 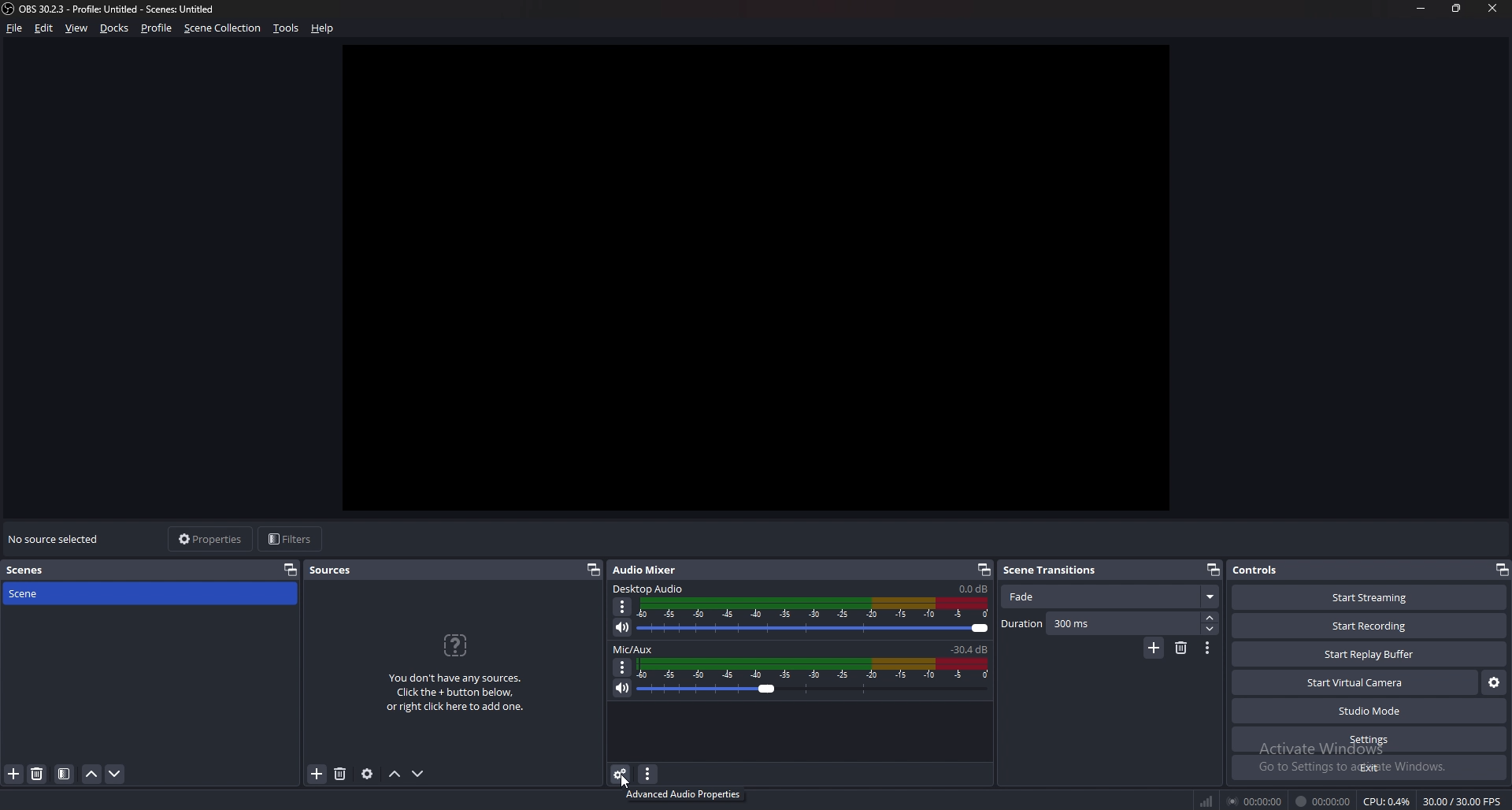 I want to click on CPU: 0.5%, so click(x=1388, y=802).